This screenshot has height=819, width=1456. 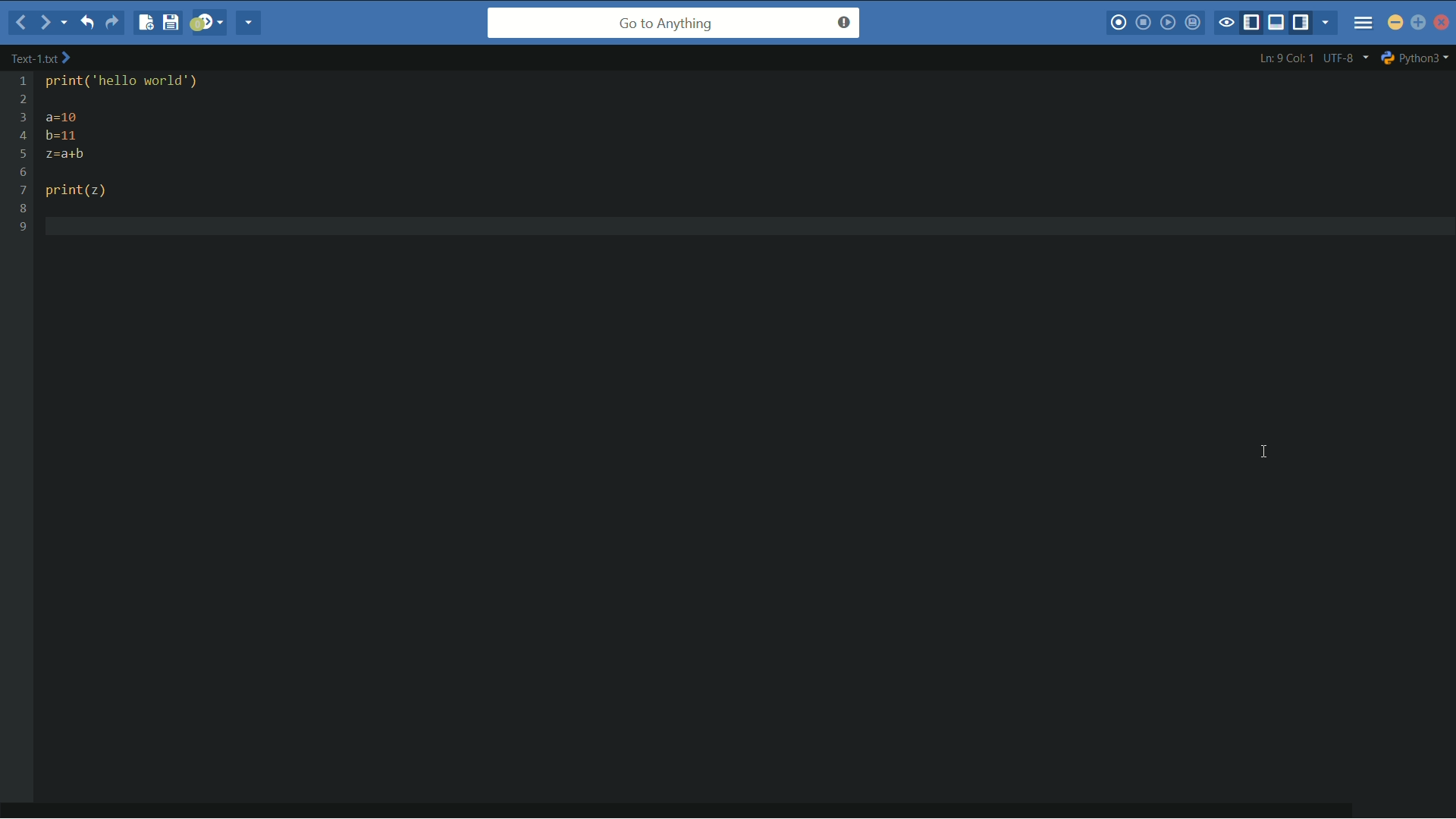 What do you see at coordinates (91, 23) in the screenshot?
I see `undo` at bounding box center [91, 23].